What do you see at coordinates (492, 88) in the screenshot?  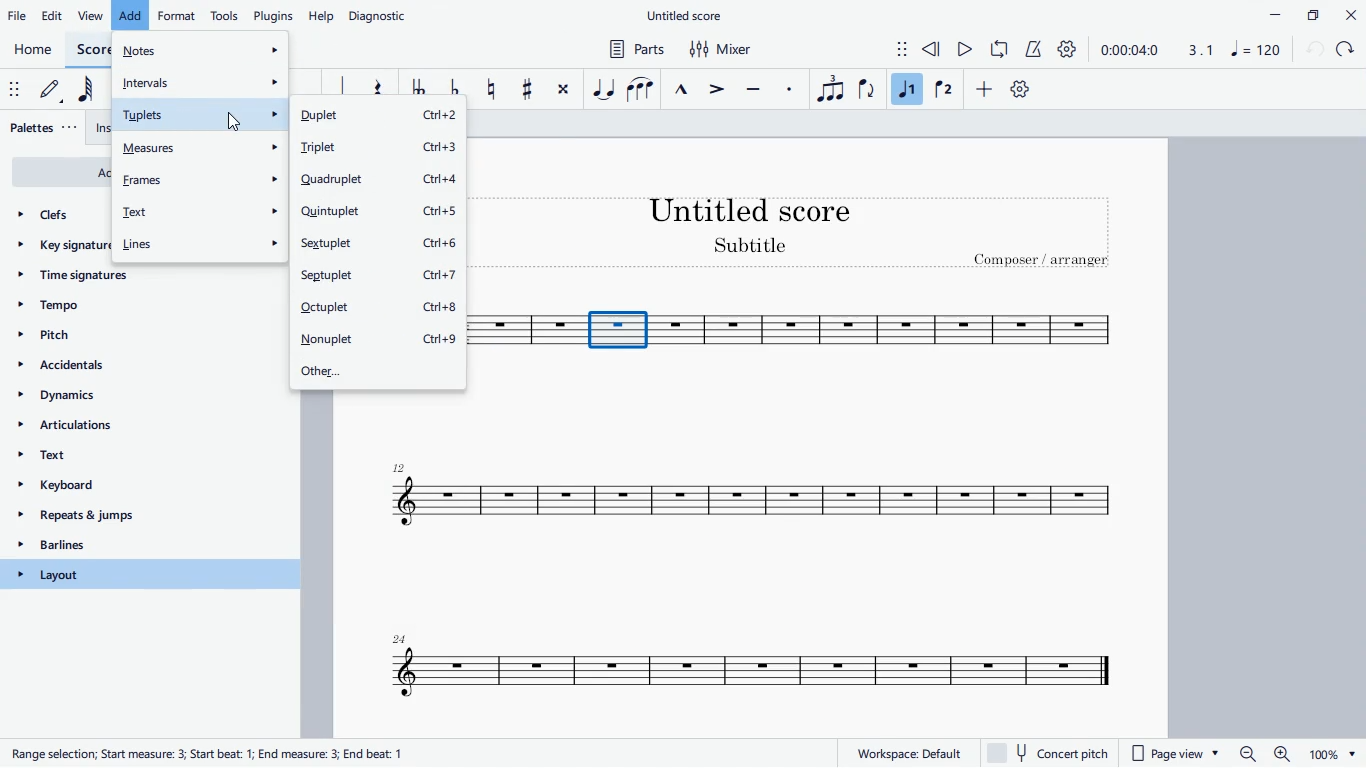 I see `toggle natural` at bounding box center [492, 88].